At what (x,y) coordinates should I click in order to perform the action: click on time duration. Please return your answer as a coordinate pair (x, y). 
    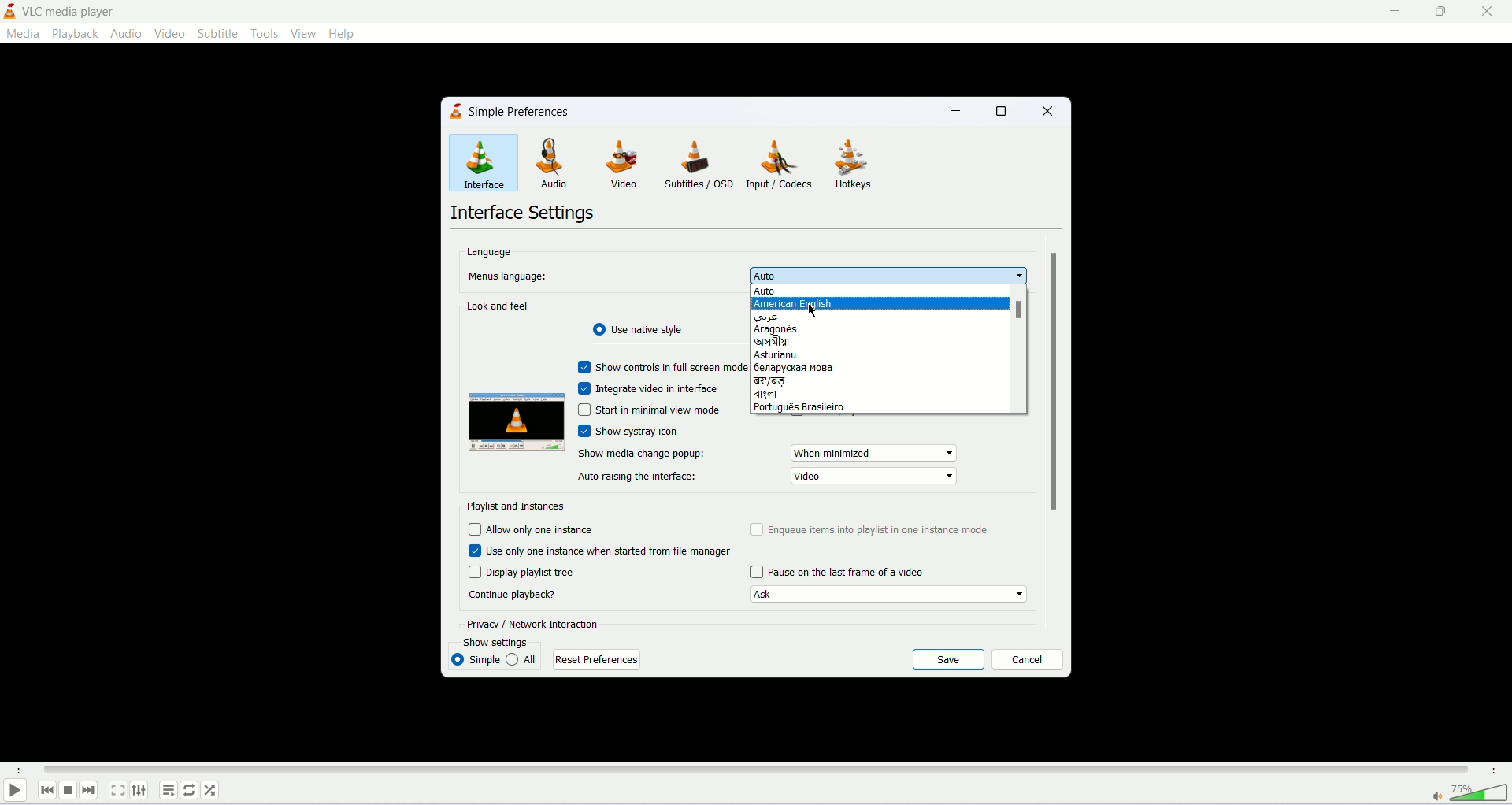
    Looking at the image, I should click on (1495, 770).